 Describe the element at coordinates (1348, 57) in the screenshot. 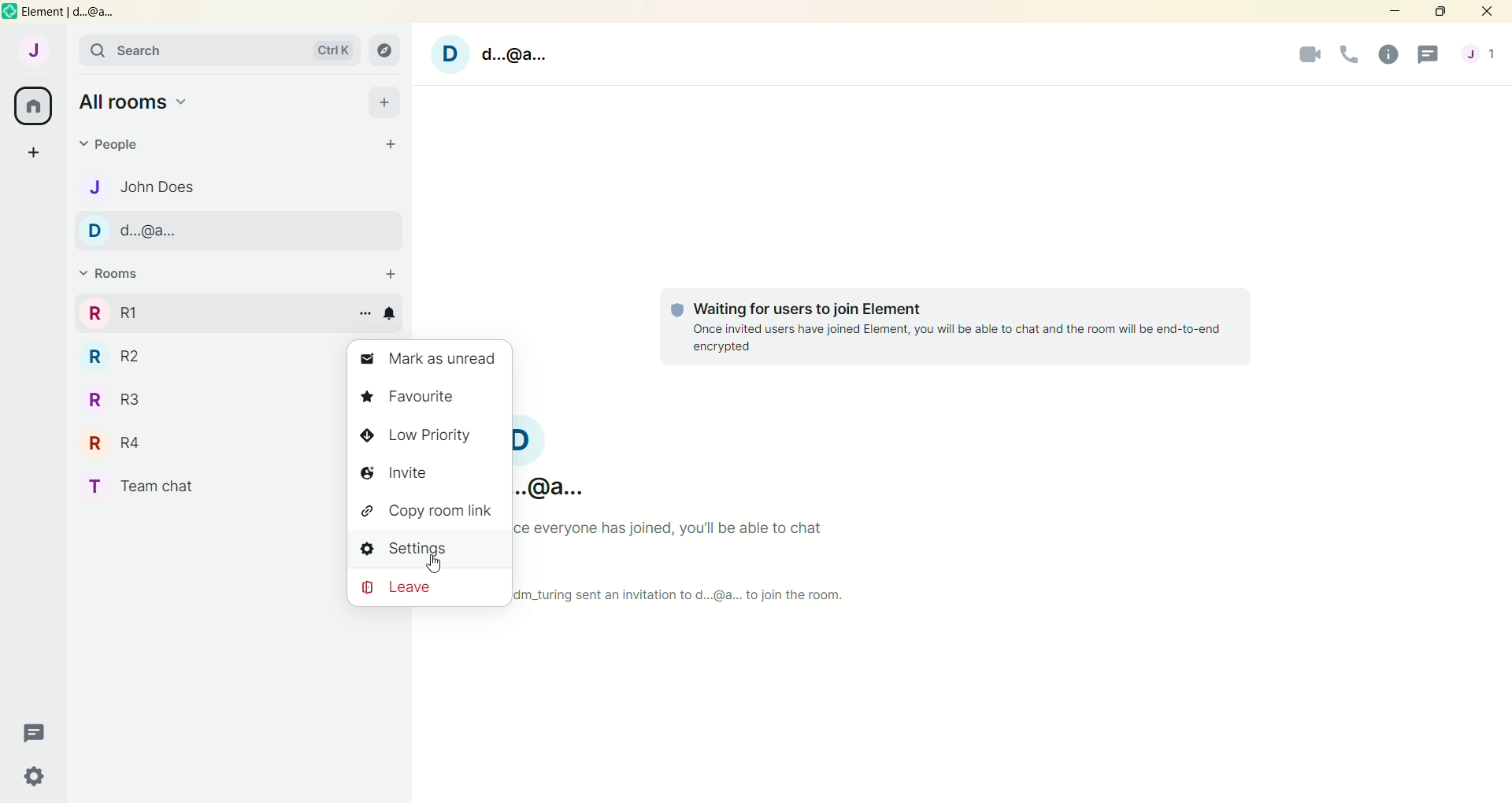

I see `voice call` at that location.